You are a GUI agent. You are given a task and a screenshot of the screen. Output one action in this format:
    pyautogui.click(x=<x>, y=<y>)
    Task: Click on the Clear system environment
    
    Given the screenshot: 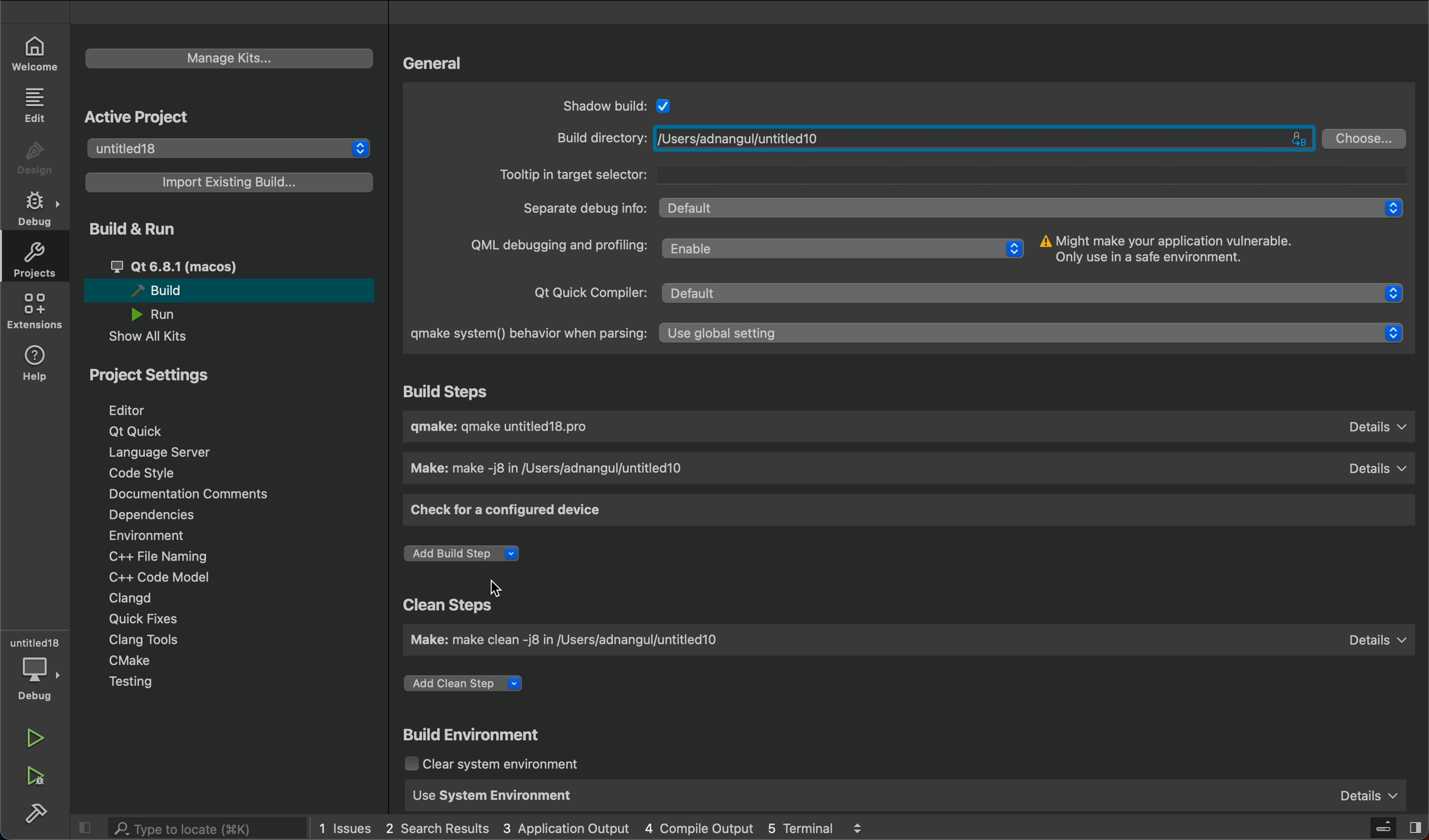 What is the action you would take?
    pyautogui.click(x=497, y=766)
    